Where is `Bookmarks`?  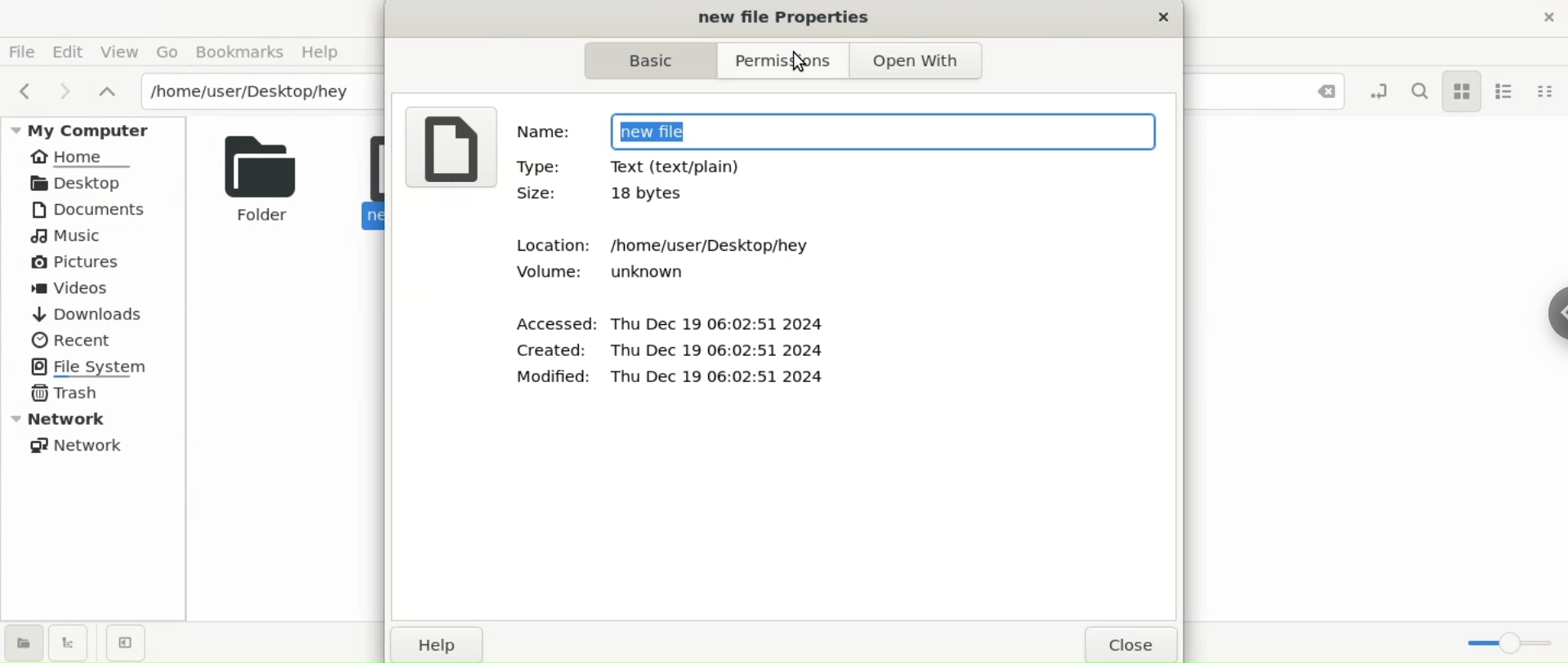 Bookmarks is located at coordinates (238, 52).